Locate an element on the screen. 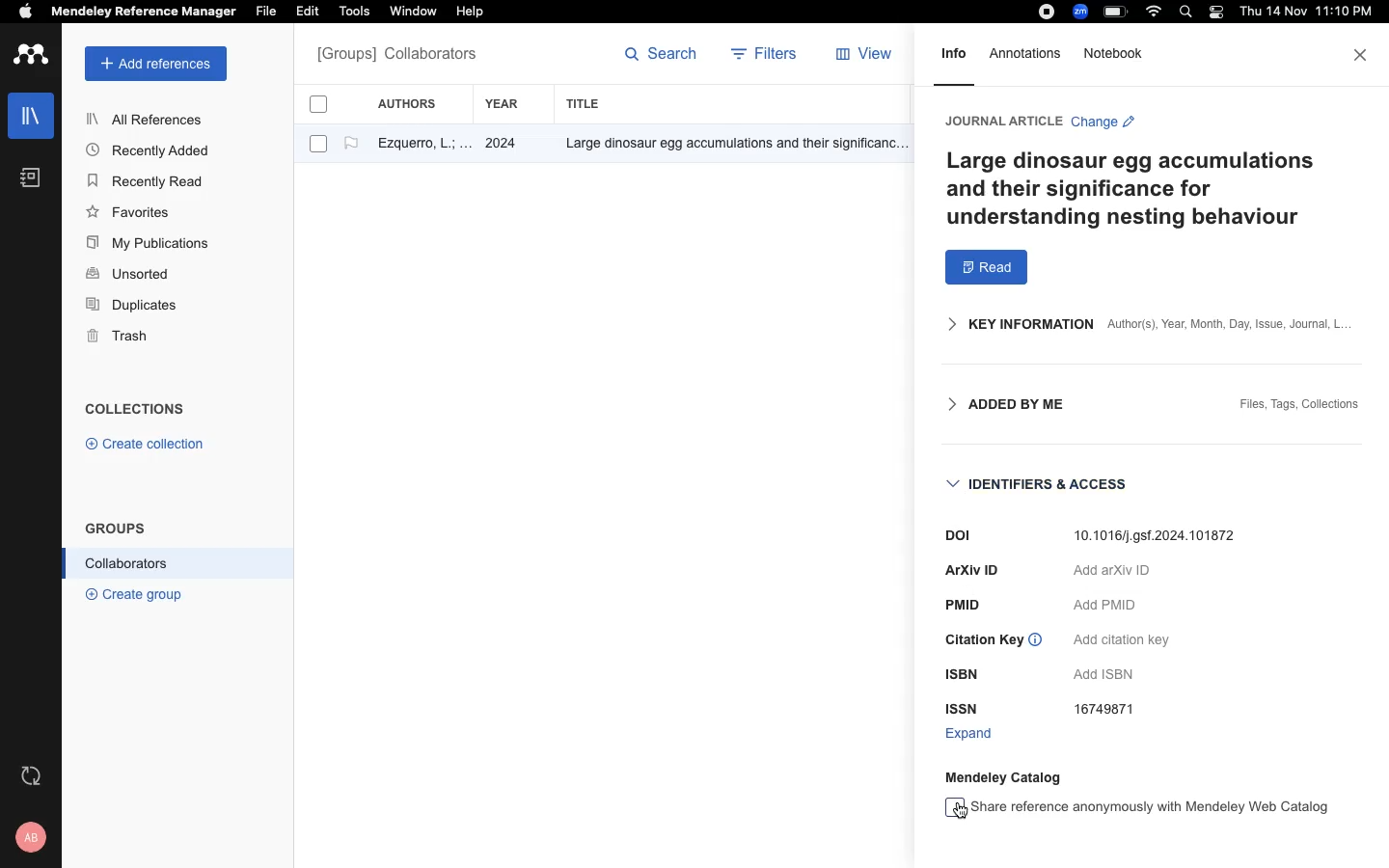 Image resolution: width=1389 pixels, height=868 pixels. pol is located at coordinates (942, 535).